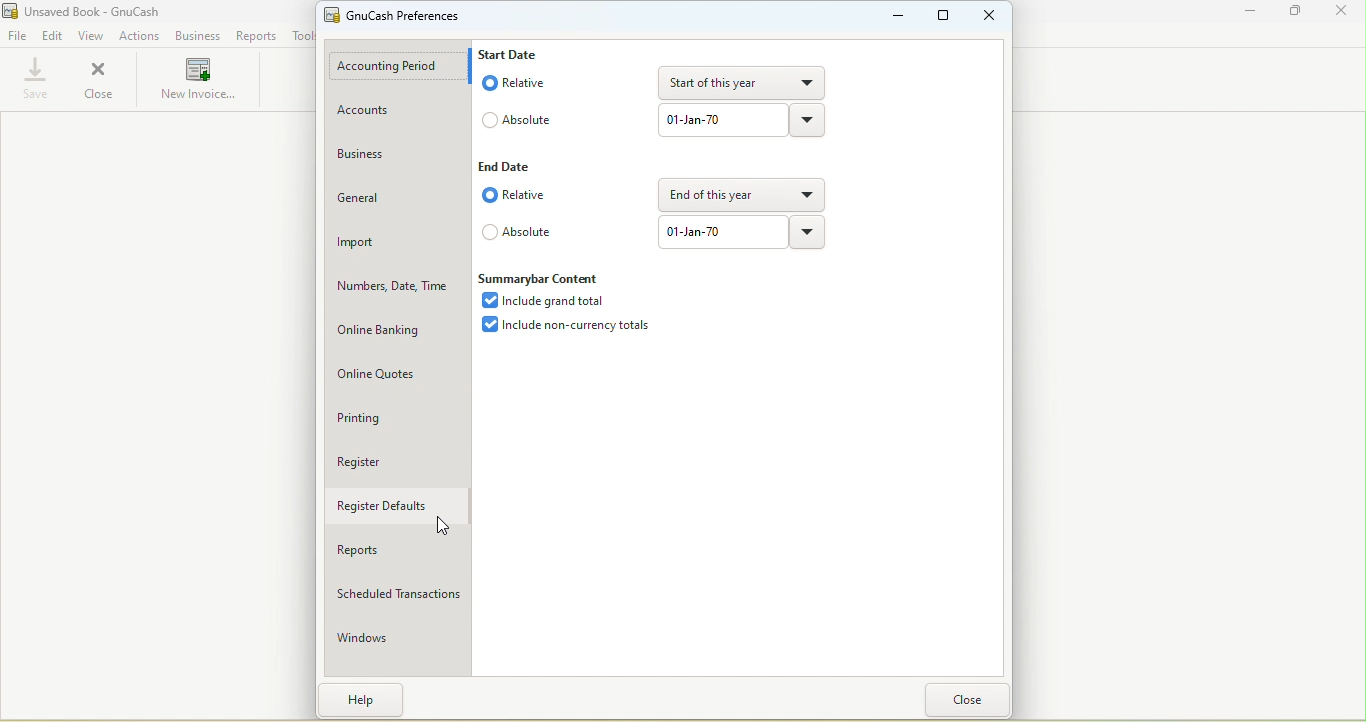  What do you see at coordinates (530, 124) in the screenshot?
I see `Absolute` at bounding box center [530, 124].